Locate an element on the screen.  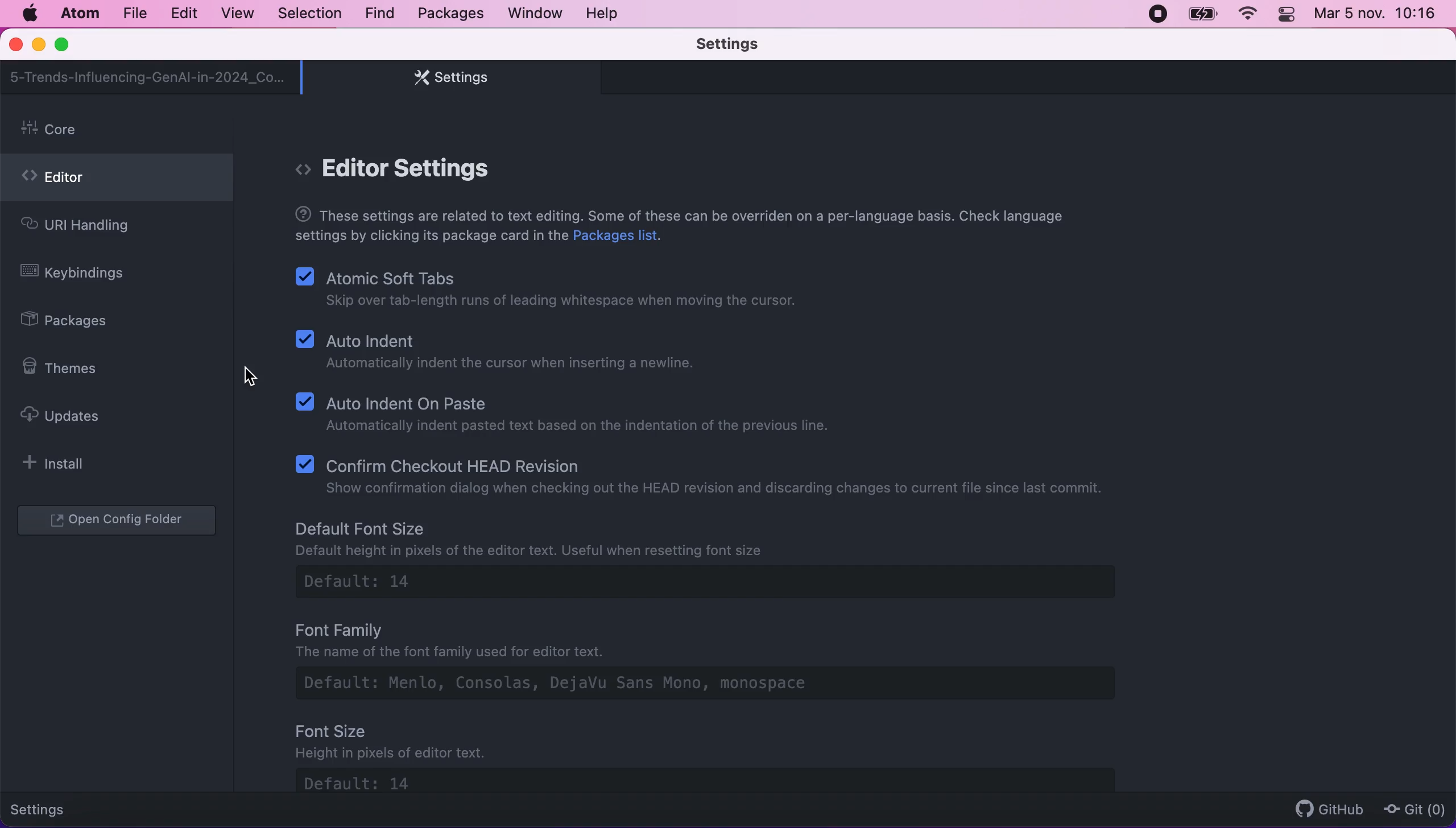
control panel is located at coordinates (1288, 16).